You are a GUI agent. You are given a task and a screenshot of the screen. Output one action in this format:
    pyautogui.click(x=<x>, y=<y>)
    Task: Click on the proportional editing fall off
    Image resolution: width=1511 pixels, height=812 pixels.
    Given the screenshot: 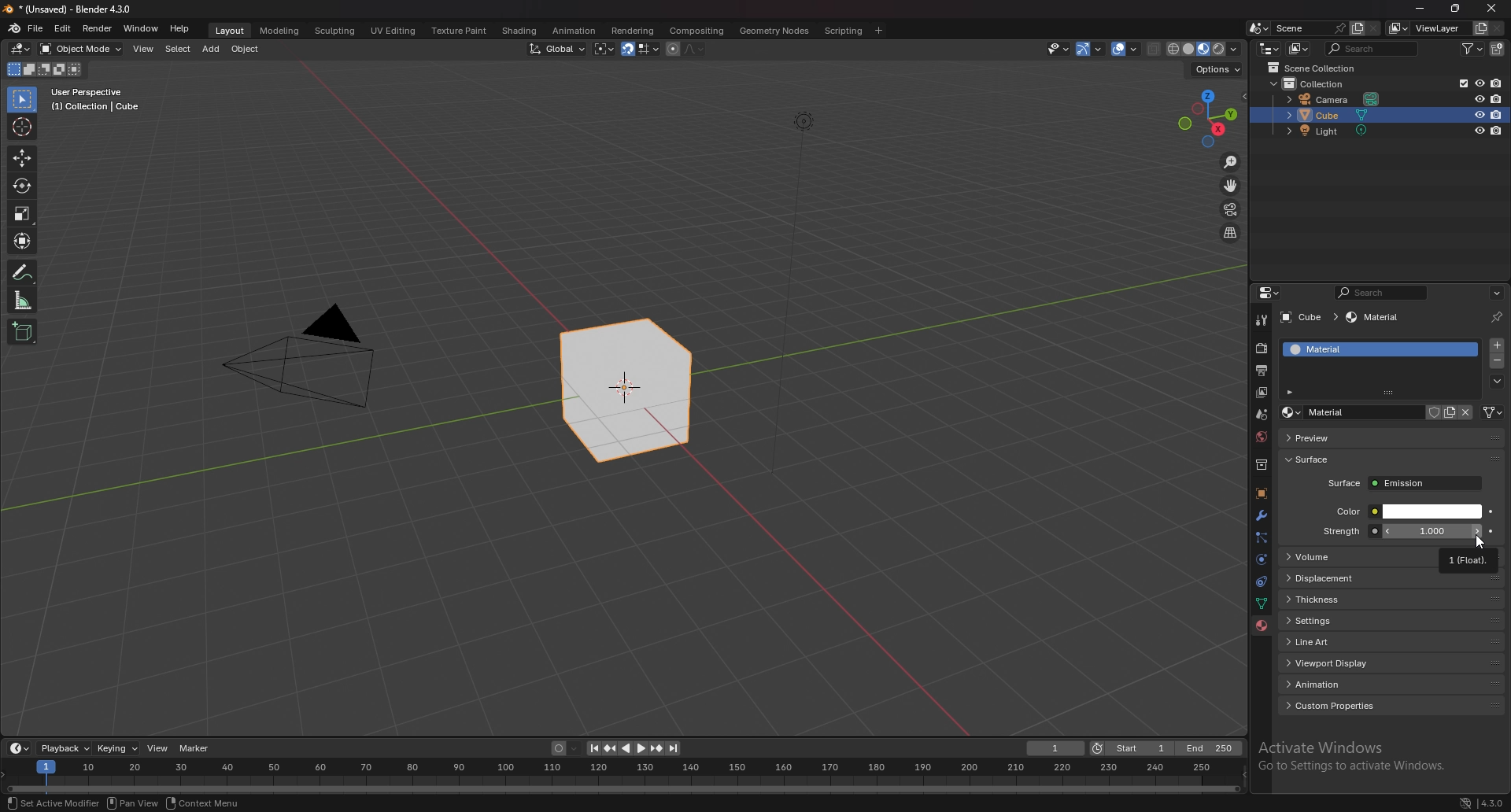 What is the action you would take?
    pyautogui.click(x=691, y=48)
    